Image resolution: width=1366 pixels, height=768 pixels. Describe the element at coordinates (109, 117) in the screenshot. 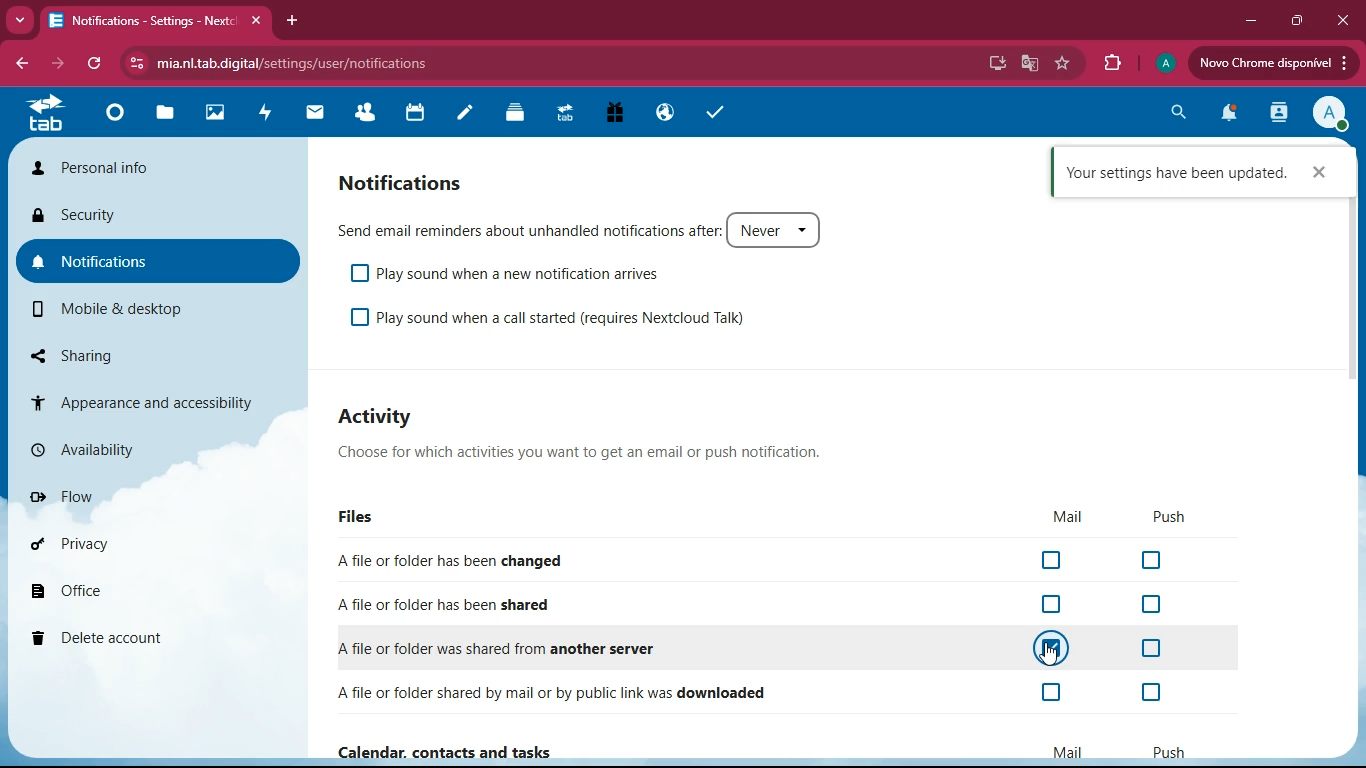

I see `home` at that location.